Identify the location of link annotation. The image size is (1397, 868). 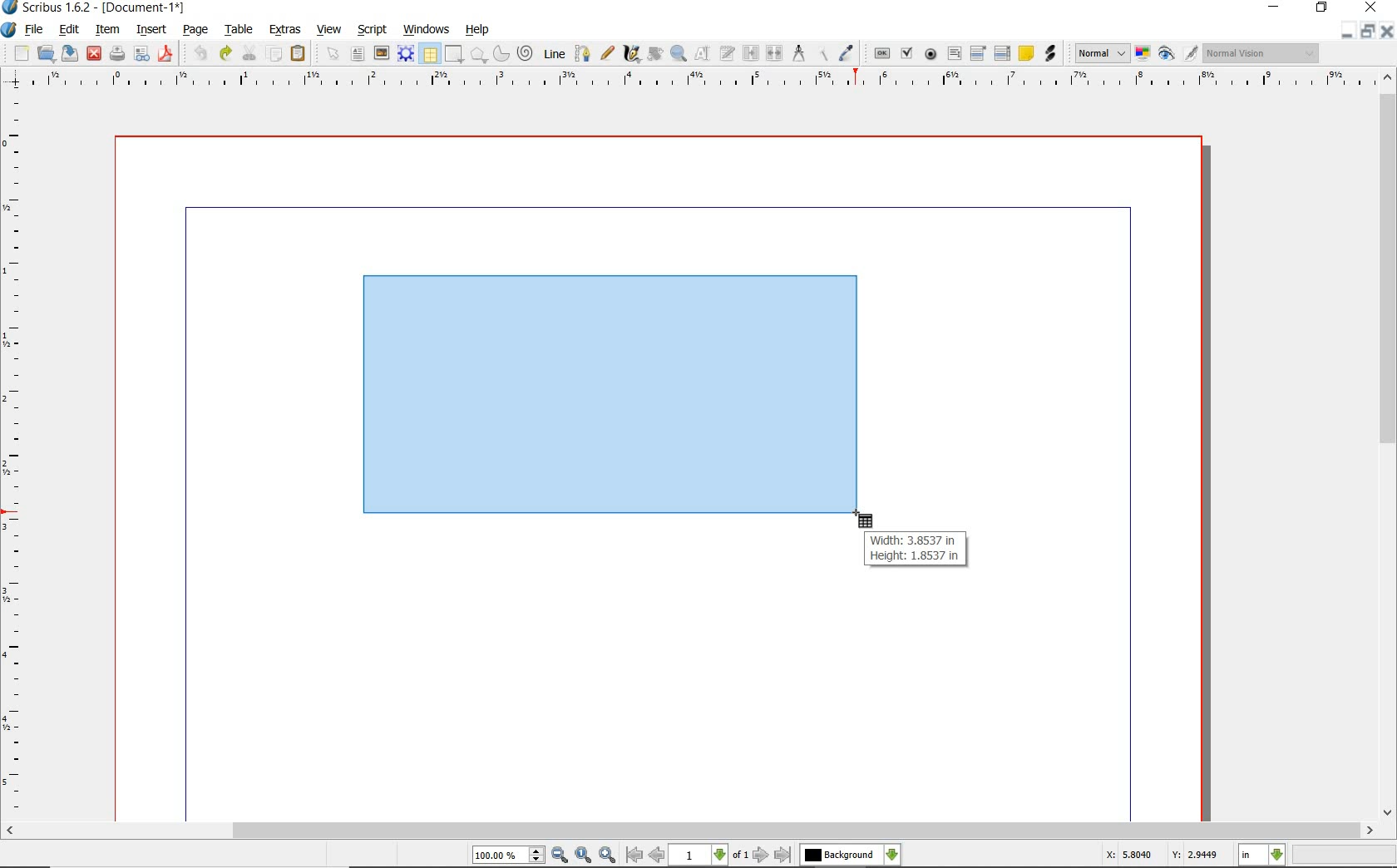
(1049, 53).